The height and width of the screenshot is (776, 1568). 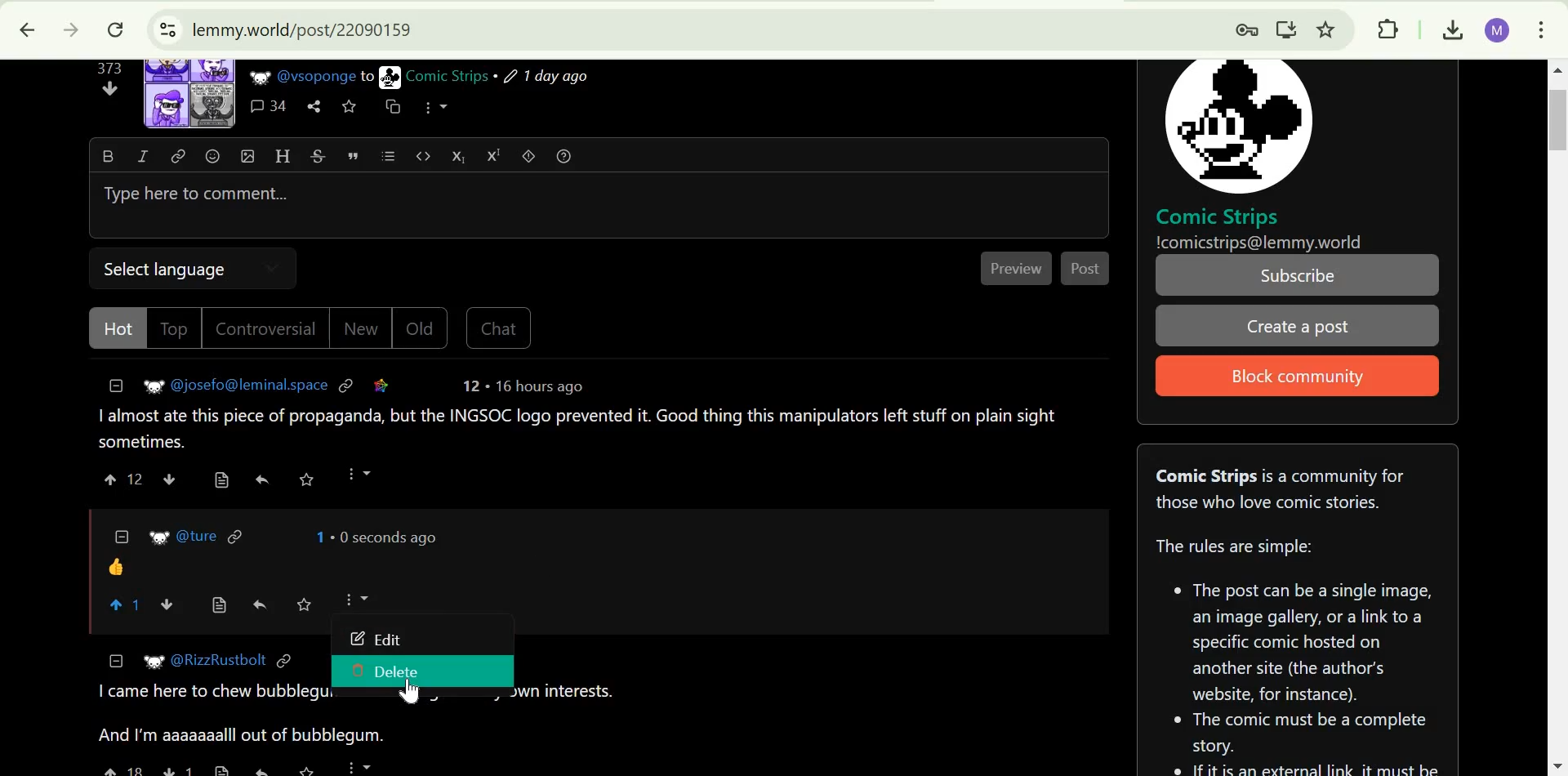 I want to click on Download Lemmy.World, so click(x=1287, y=27).